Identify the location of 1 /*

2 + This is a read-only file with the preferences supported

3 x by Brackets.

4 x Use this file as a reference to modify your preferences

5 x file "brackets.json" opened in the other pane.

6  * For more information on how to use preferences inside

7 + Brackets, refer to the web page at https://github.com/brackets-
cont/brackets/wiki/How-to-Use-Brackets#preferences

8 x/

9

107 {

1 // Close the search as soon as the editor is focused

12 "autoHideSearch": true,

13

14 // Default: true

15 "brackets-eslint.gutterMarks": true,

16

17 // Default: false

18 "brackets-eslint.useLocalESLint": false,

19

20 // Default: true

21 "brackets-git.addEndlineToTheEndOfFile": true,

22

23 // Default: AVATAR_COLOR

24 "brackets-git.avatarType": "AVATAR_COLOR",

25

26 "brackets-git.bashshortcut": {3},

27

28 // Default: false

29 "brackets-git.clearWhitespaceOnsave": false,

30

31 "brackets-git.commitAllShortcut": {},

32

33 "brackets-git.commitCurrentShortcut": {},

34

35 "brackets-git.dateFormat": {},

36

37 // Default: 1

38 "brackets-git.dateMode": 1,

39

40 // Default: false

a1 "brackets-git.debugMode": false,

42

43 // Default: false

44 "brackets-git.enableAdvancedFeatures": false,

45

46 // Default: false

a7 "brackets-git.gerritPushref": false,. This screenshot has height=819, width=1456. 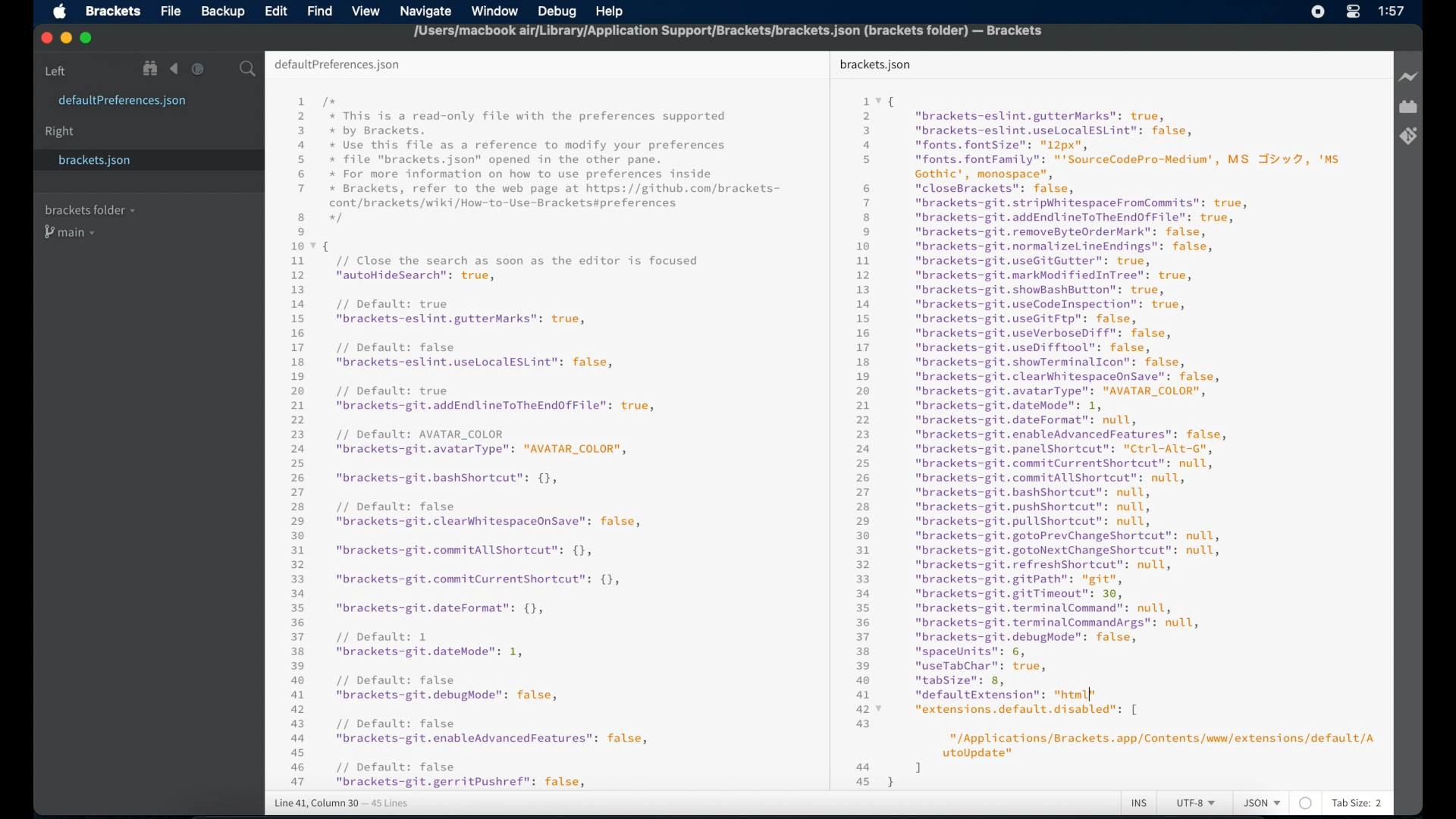
(539, 441).